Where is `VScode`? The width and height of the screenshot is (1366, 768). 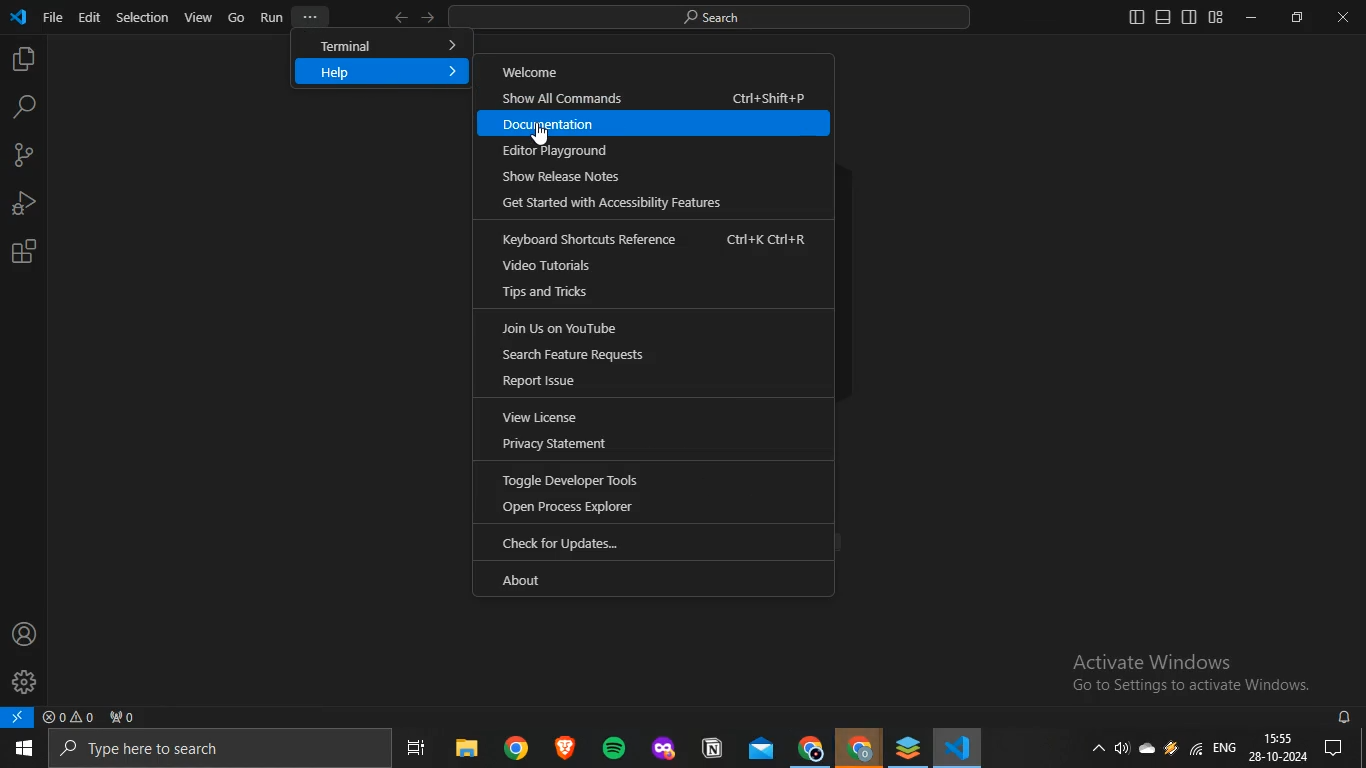 VScode is located at coordinates (959, 749).